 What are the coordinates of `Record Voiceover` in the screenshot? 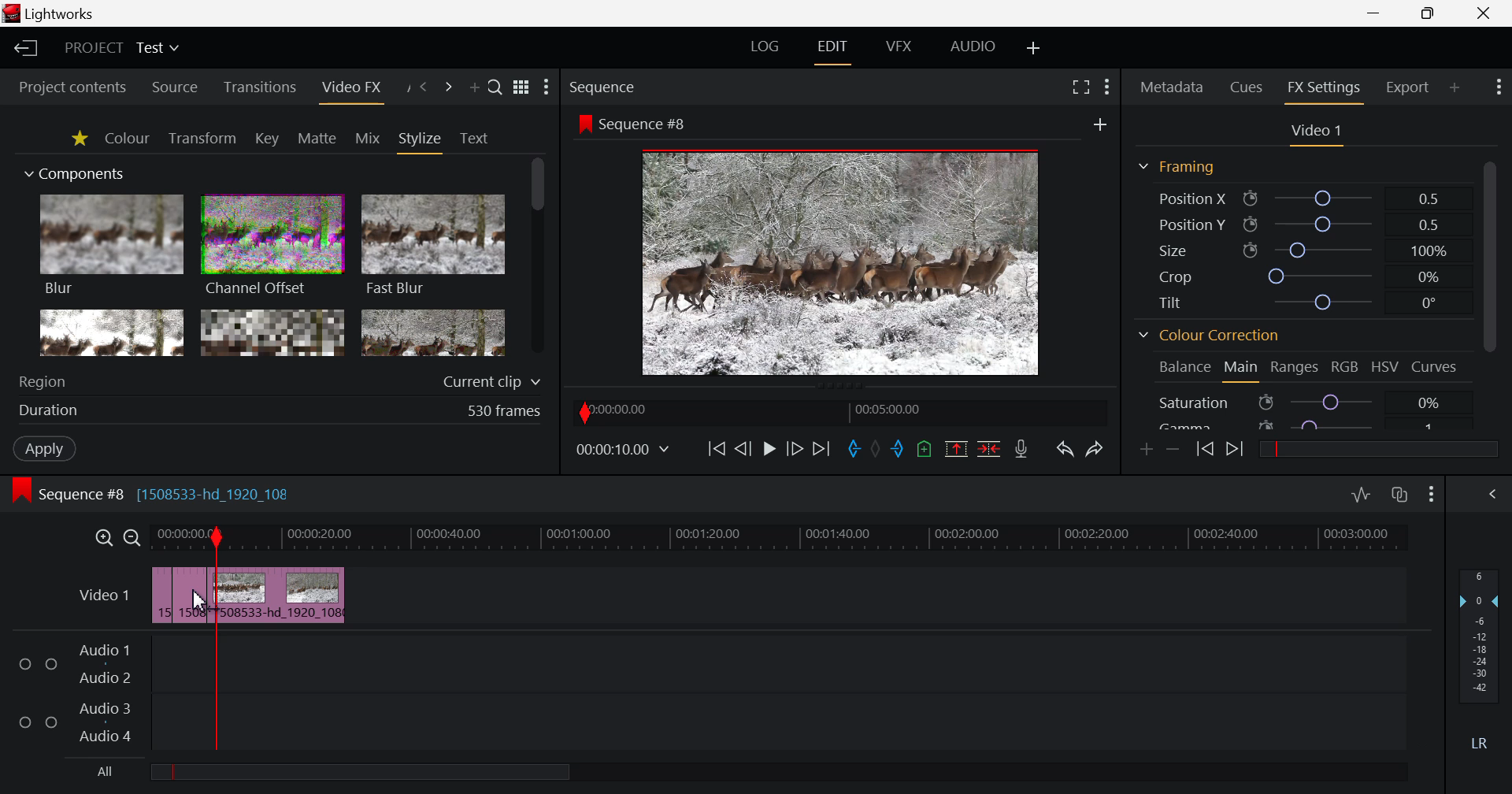 It's located at (1024, 449).